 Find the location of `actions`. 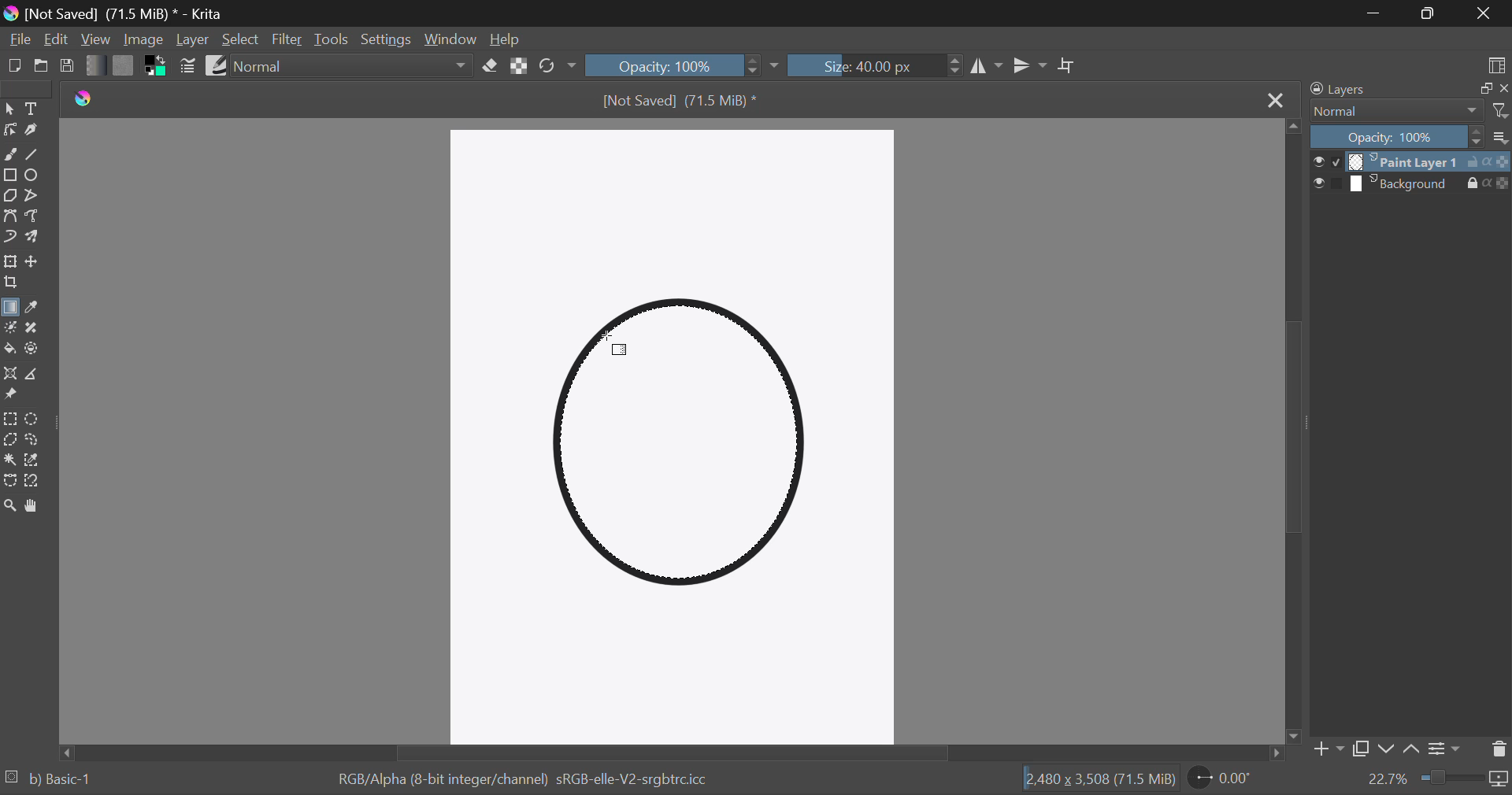

actions is located at coordinates (1488, 183).